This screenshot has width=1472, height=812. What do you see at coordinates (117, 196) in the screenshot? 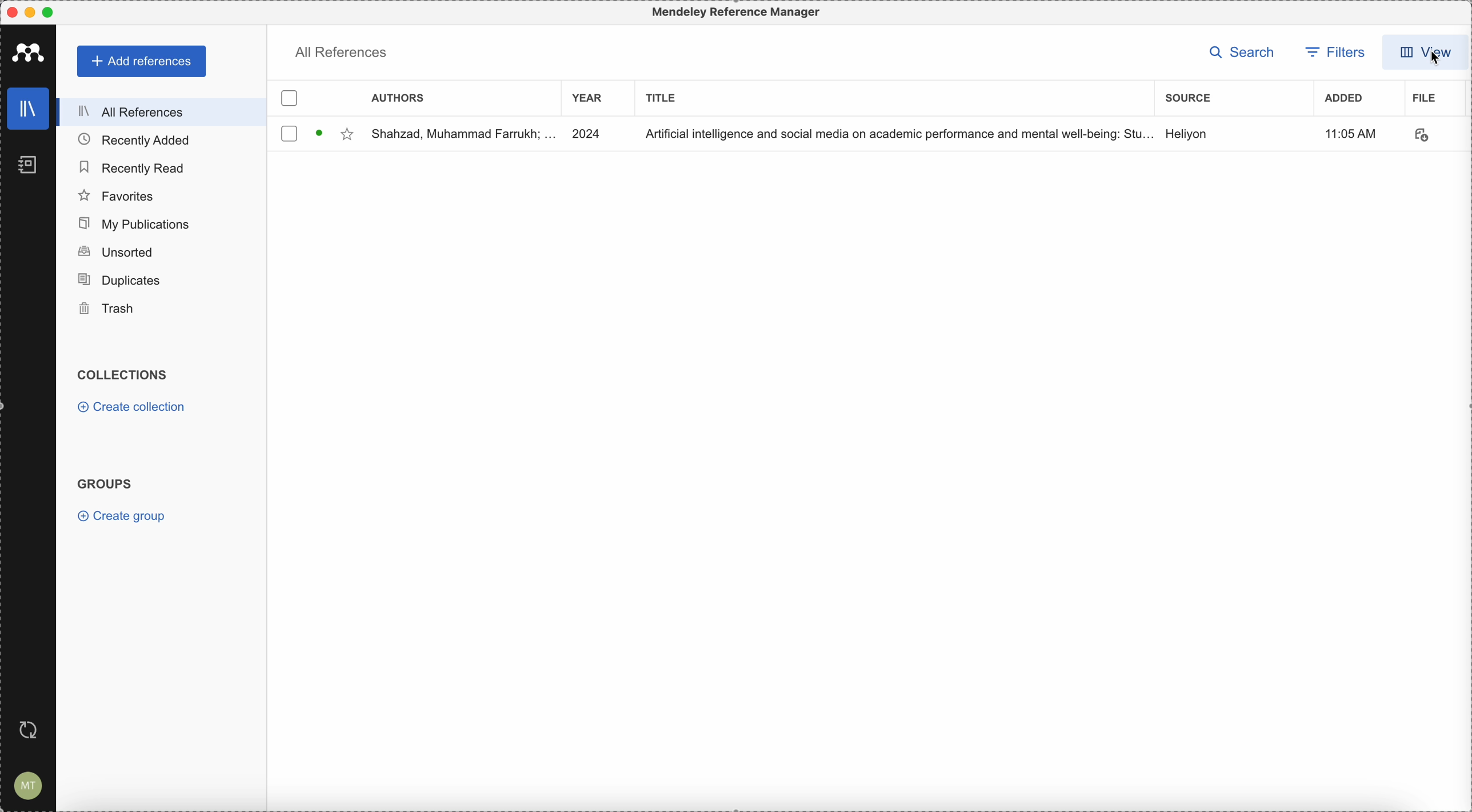
I see `favorites` at bounding box center [117, 196].